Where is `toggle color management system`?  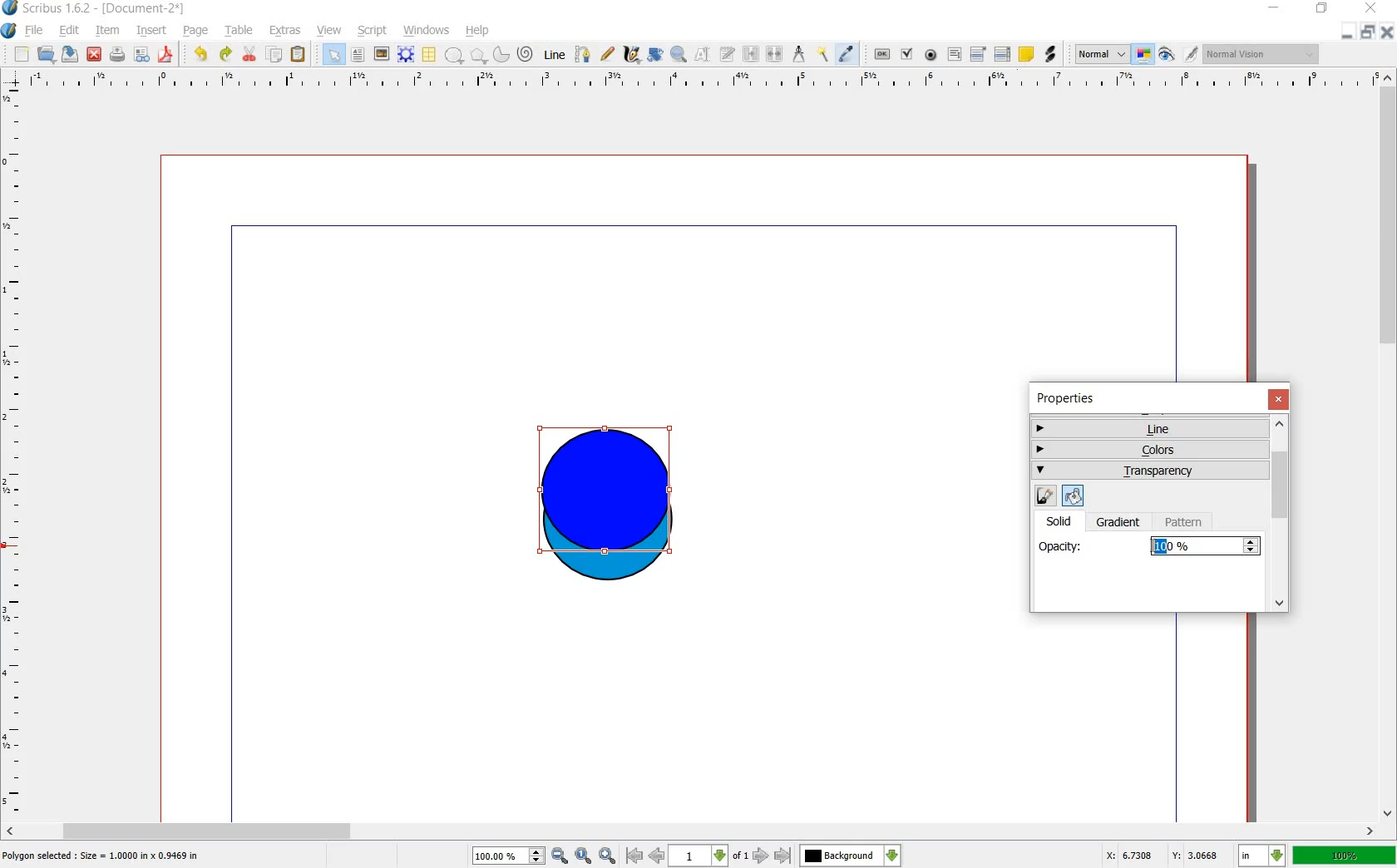
toggle color management system is located at coordinates (1143, 54).